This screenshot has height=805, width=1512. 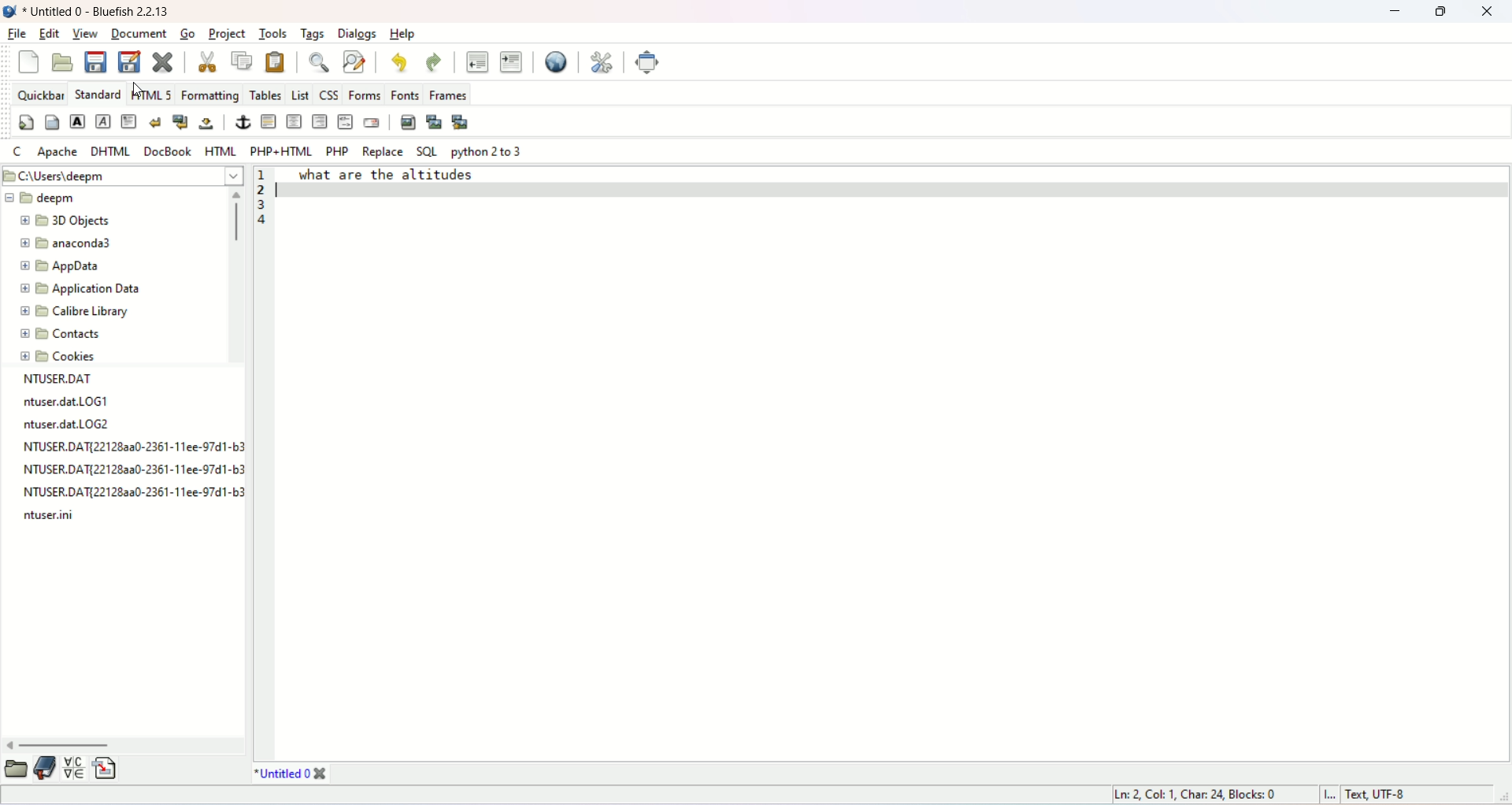 I want to click on undo, so click(x=400, y=61).